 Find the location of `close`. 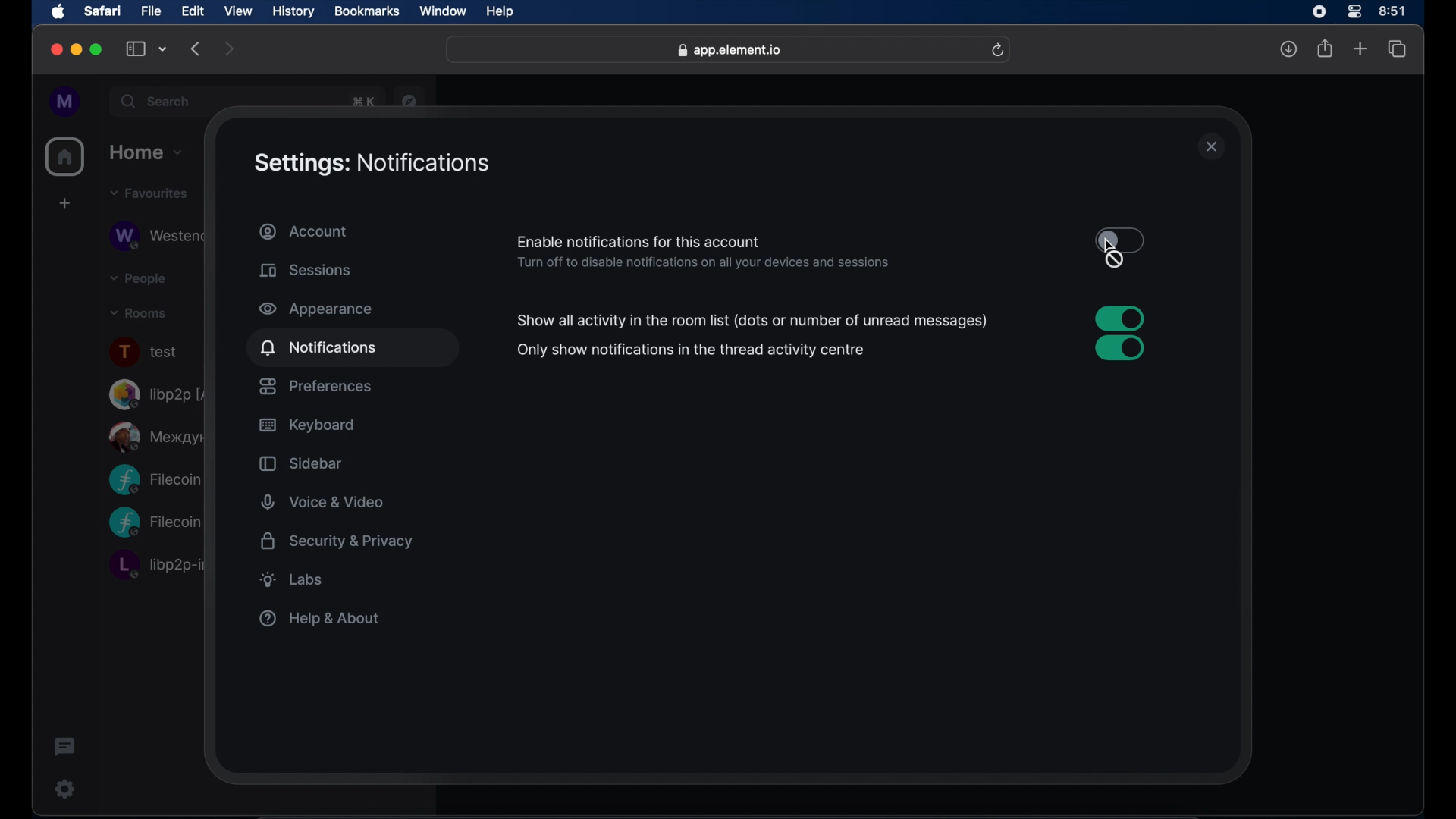

close is located at coordinates (1212, 148).